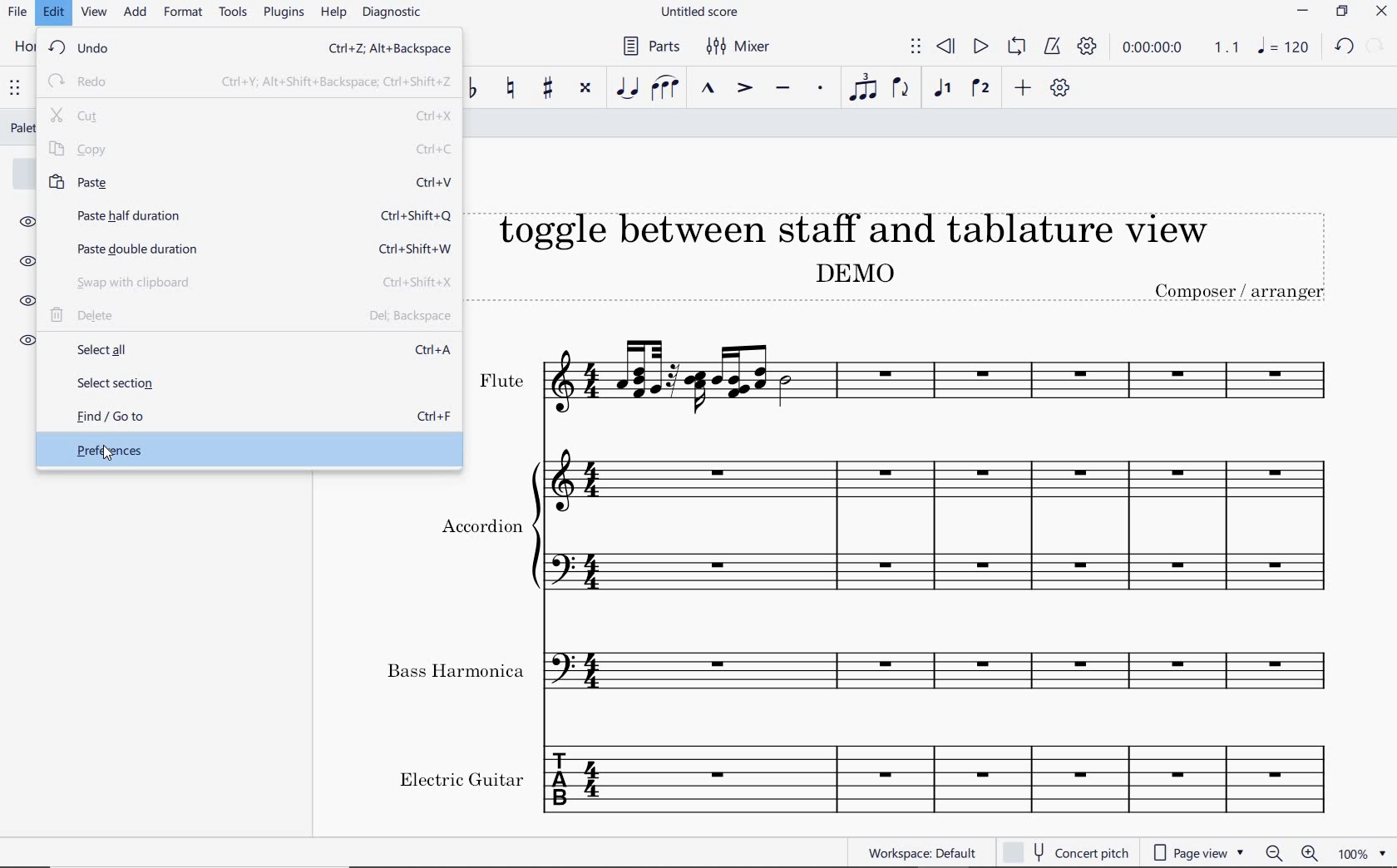 This screenshot has height=868, width=1397. Describe the element at coordinates (133, 13) in the screenshot. I see `add` at that location.